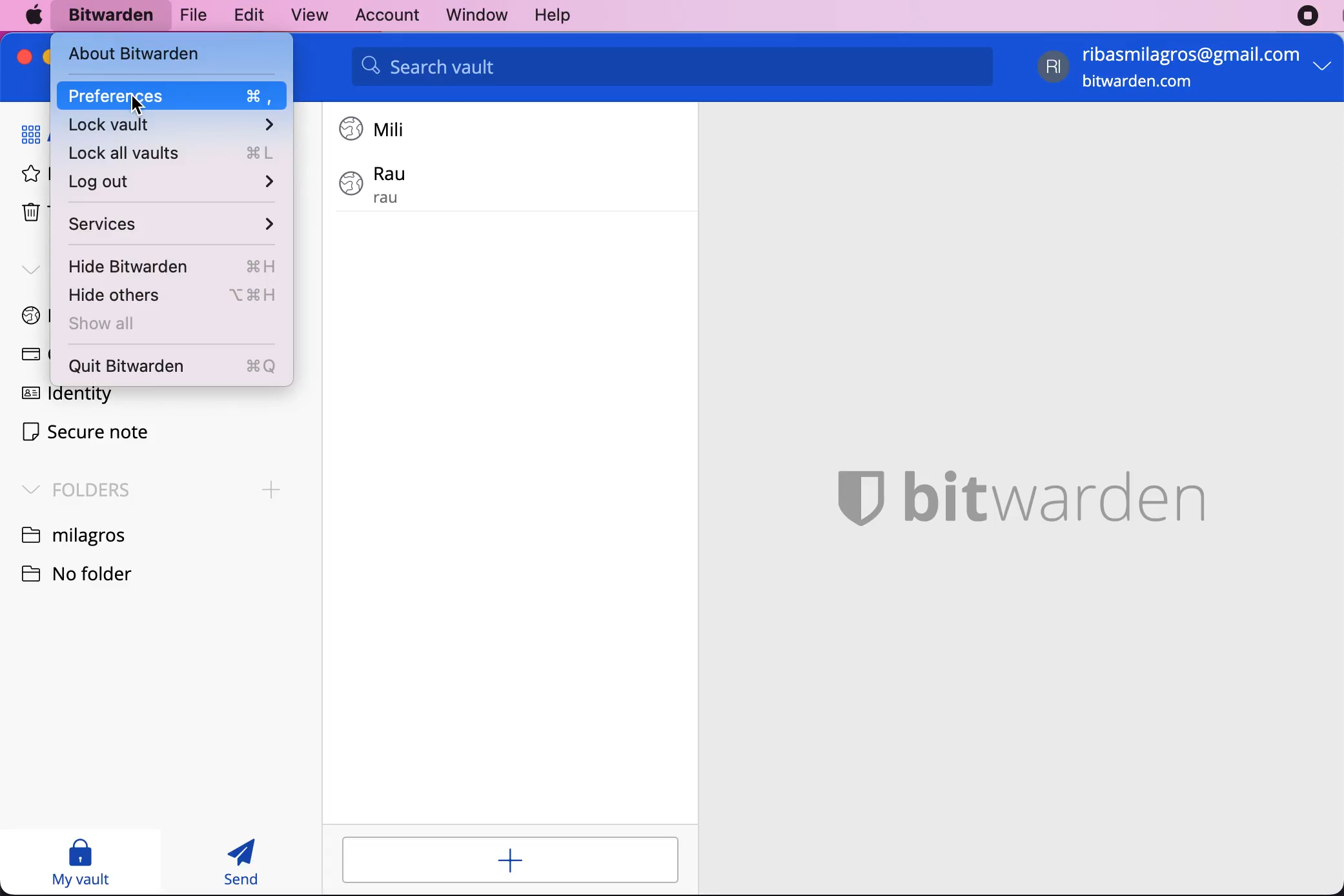 This screenshot has height=896, width=1344. I want to click on window, so click(469, 15).